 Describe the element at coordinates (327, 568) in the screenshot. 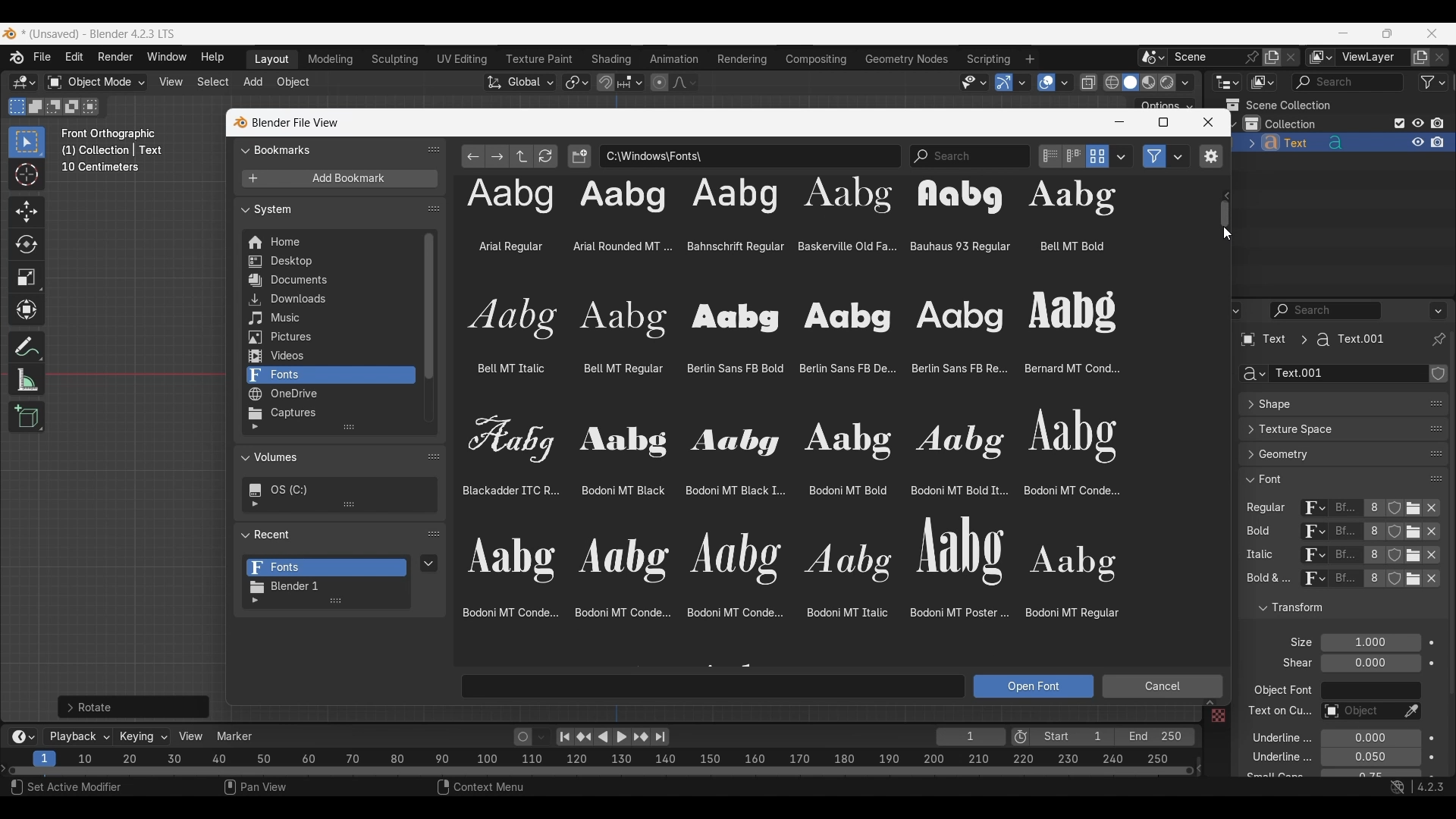

I see `Fonts folder` at that location.